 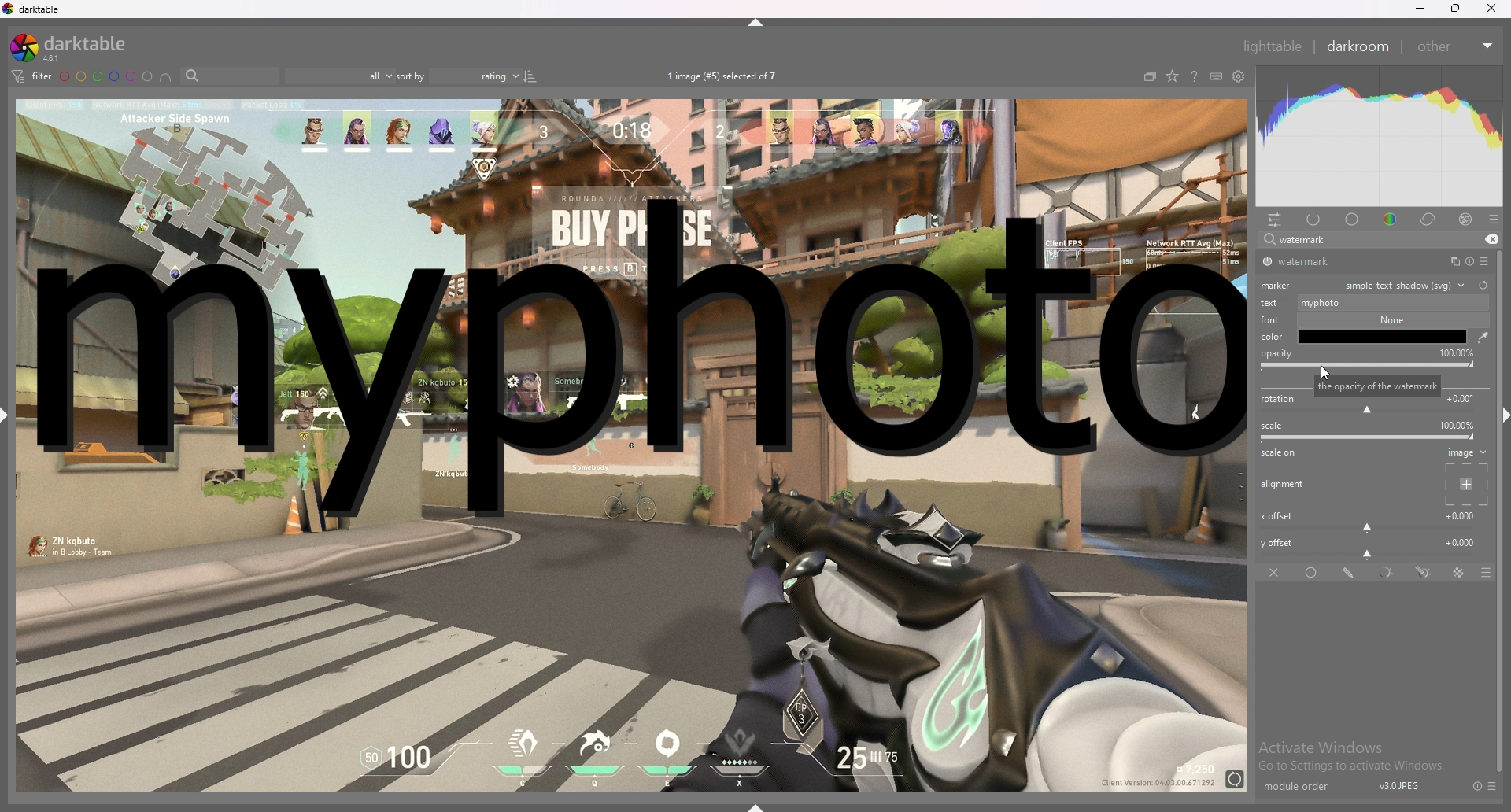 I want to click on search module, so click(x=1359, y=241).